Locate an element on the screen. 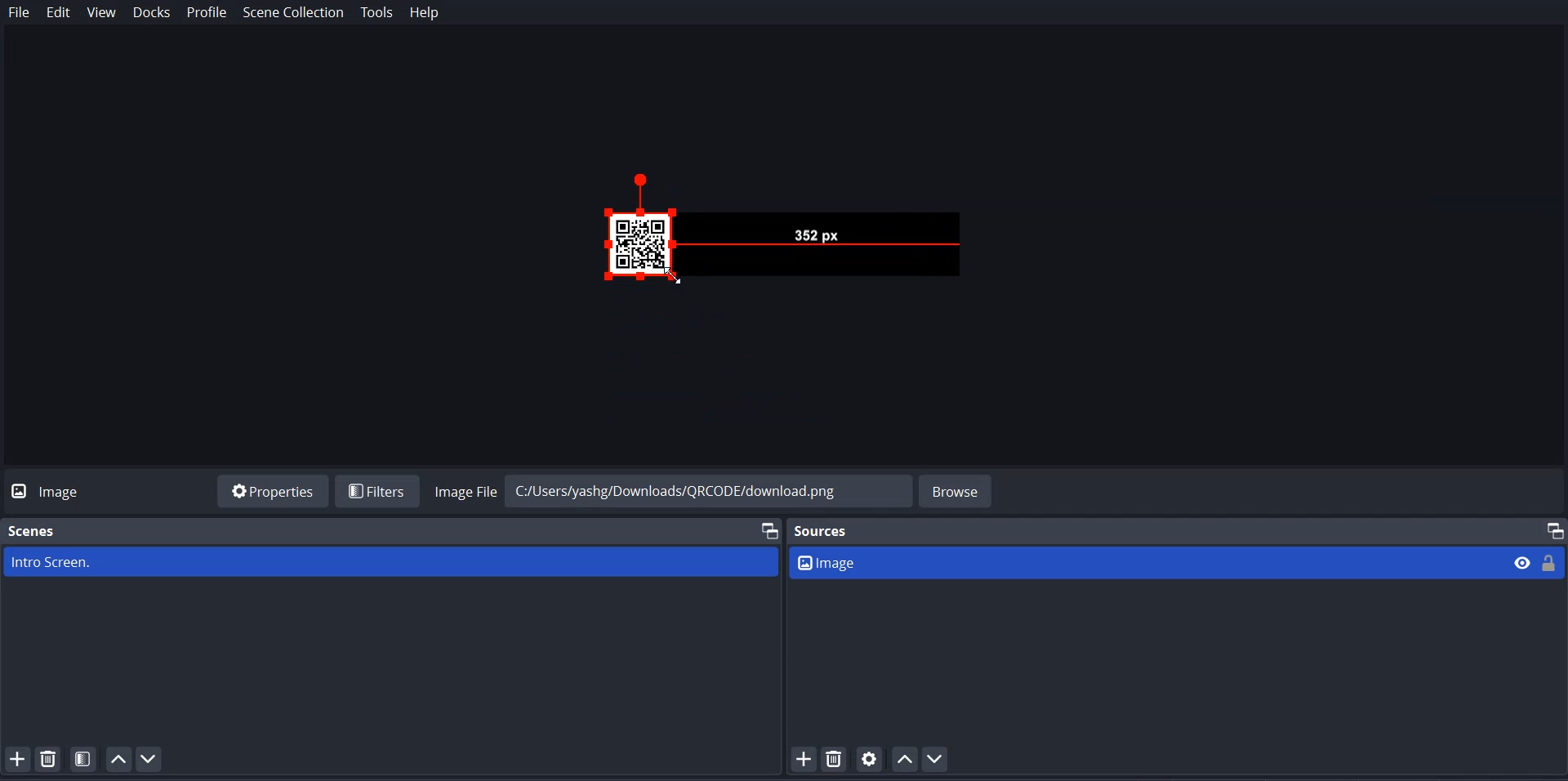  Scene Collection is located at coordinates (294, 14).